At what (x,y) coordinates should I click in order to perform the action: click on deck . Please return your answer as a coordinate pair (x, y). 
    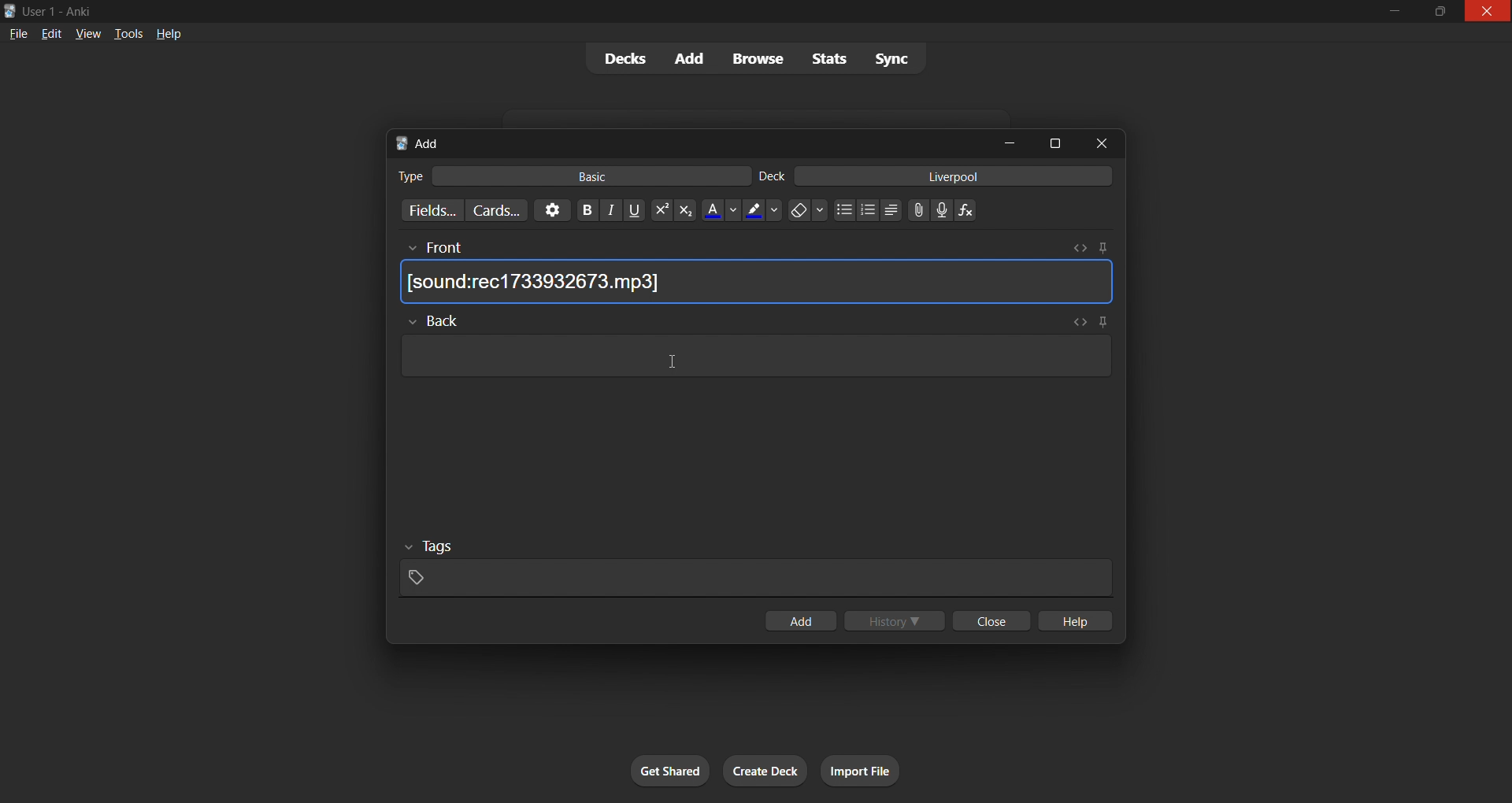
    Looking at the image, I should click on (775, 175).